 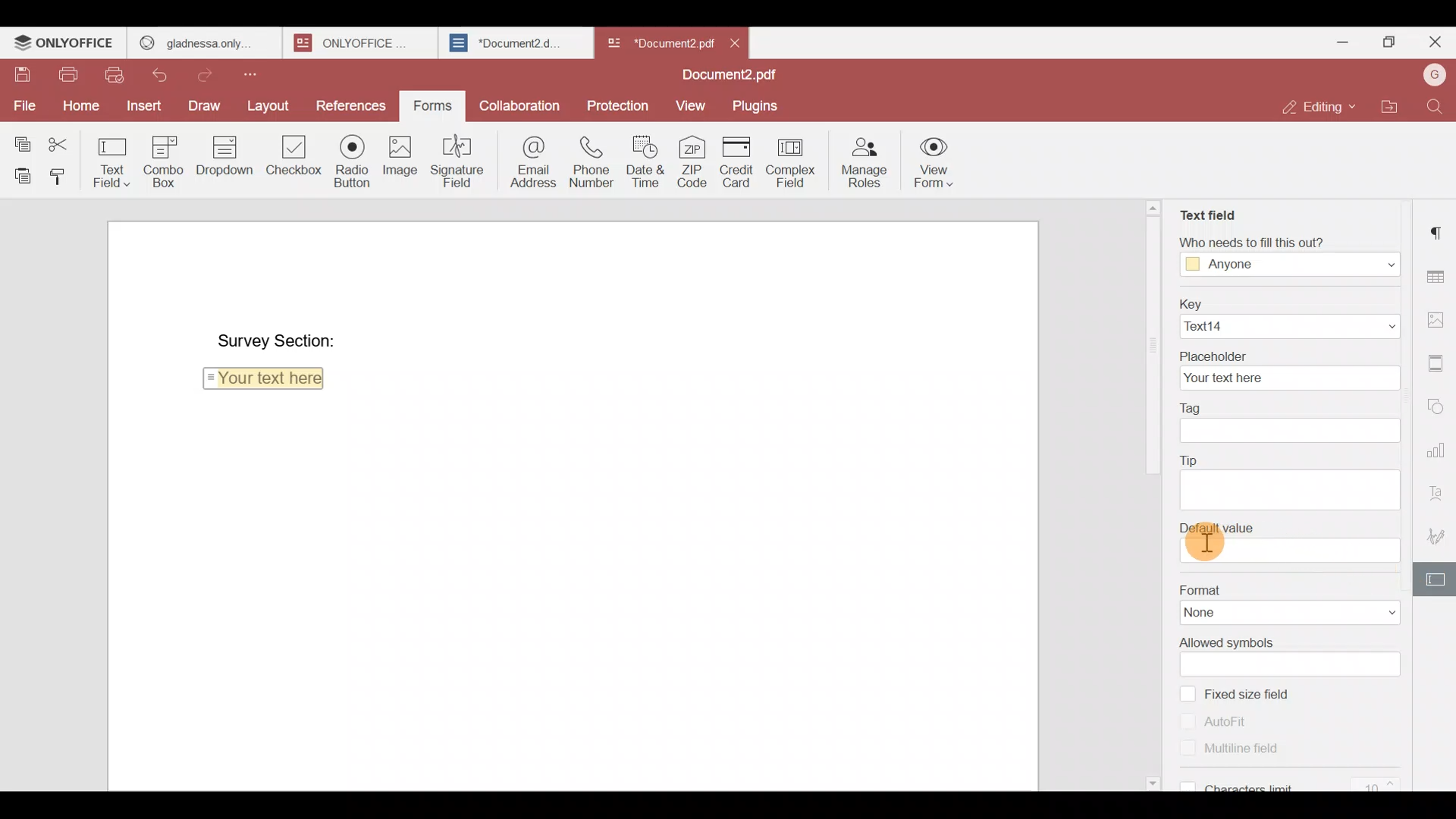 I want to click on Document2.pdf, so click(x=724, y=76).